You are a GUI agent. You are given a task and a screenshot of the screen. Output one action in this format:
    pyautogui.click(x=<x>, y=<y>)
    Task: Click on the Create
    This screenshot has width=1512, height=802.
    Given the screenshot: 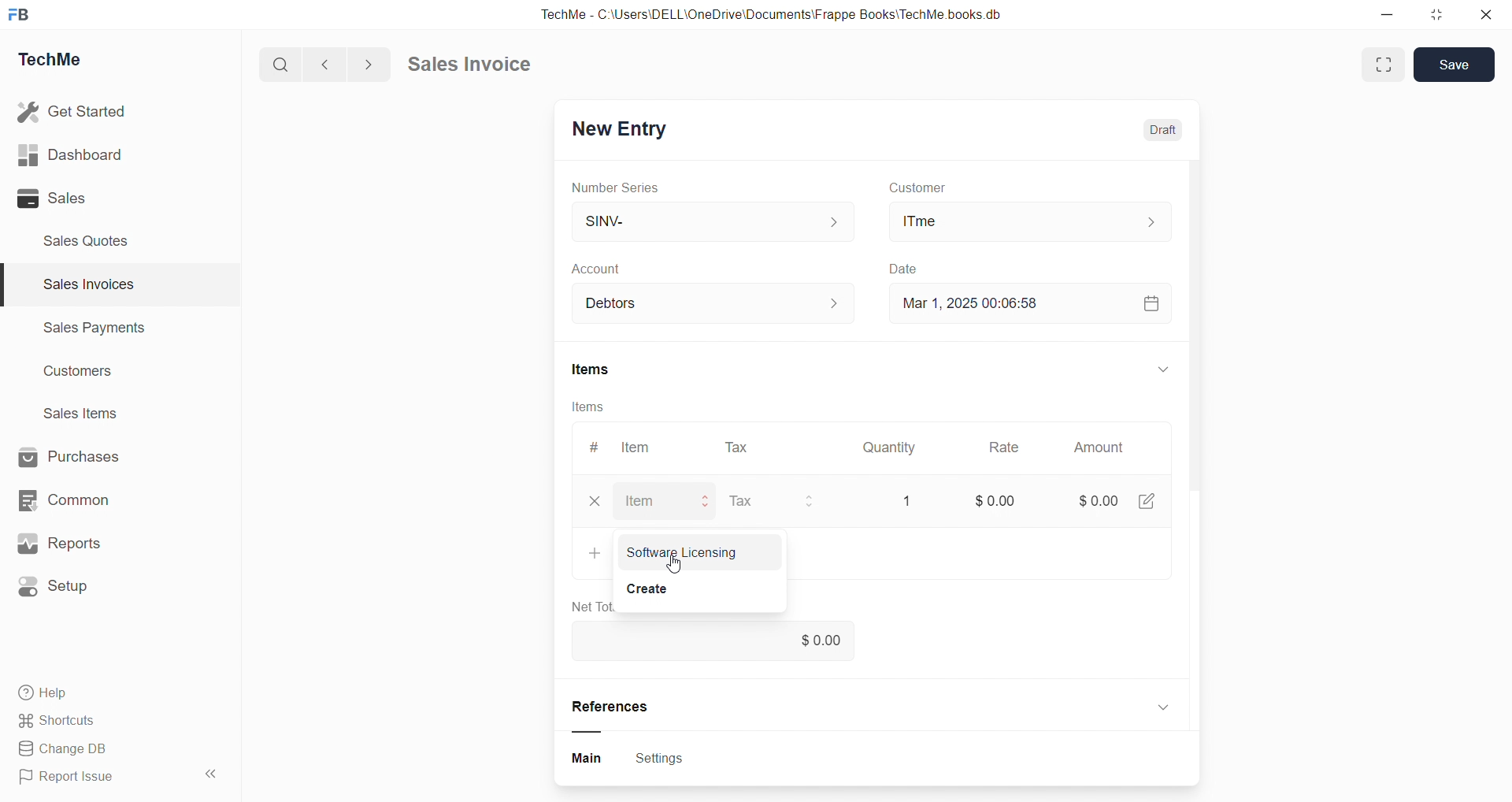 What is the action you would take?
    pyautogui.click(x=899, y=266)
    